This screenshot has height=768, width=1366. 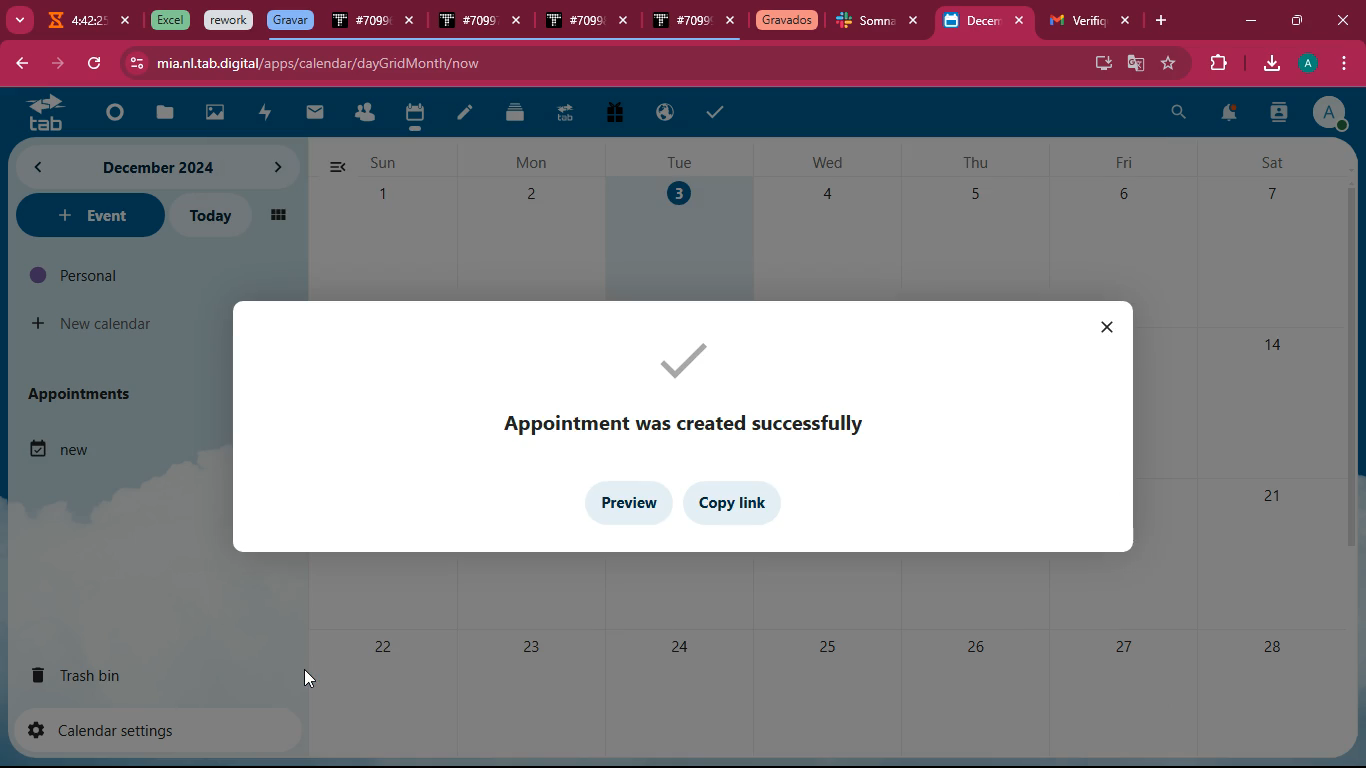 I want to click on files, so click(x=161, y=114).